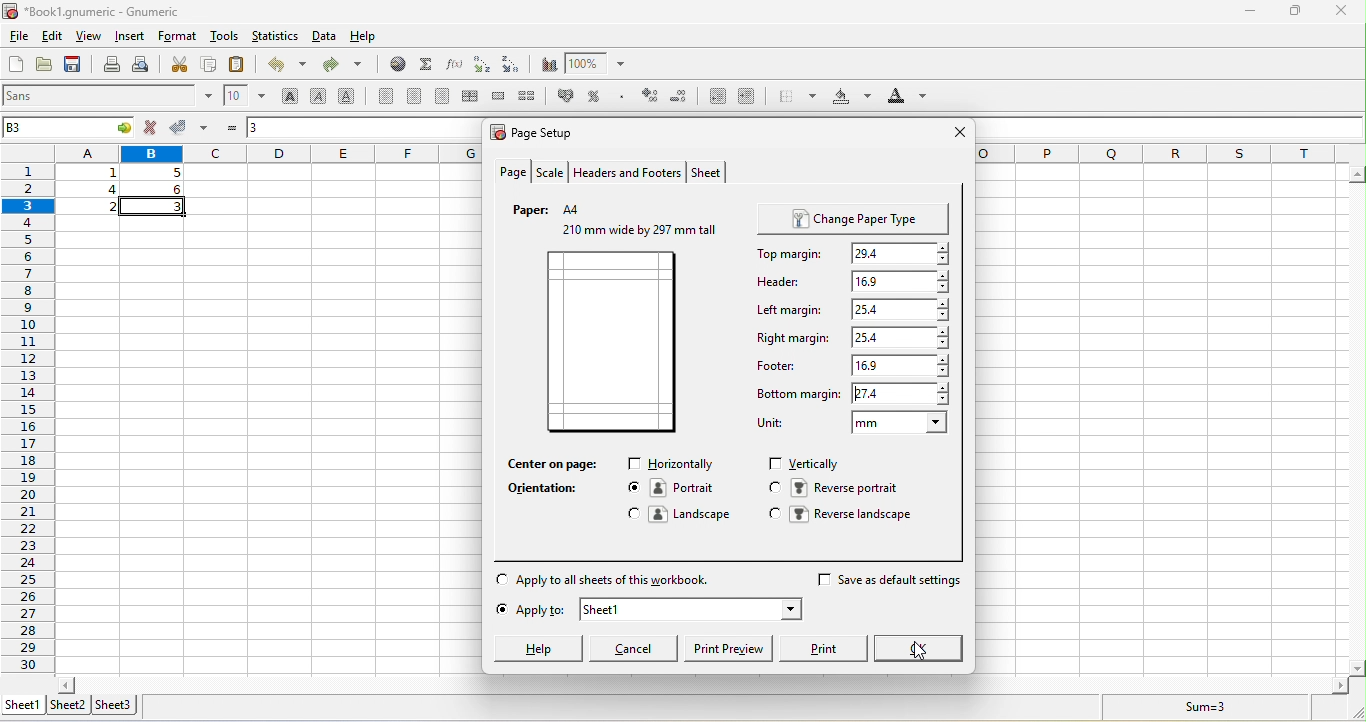 Image resolution: width=1366 pixels, height=722 pixels. I want to click on apply to, so click(527, 613).